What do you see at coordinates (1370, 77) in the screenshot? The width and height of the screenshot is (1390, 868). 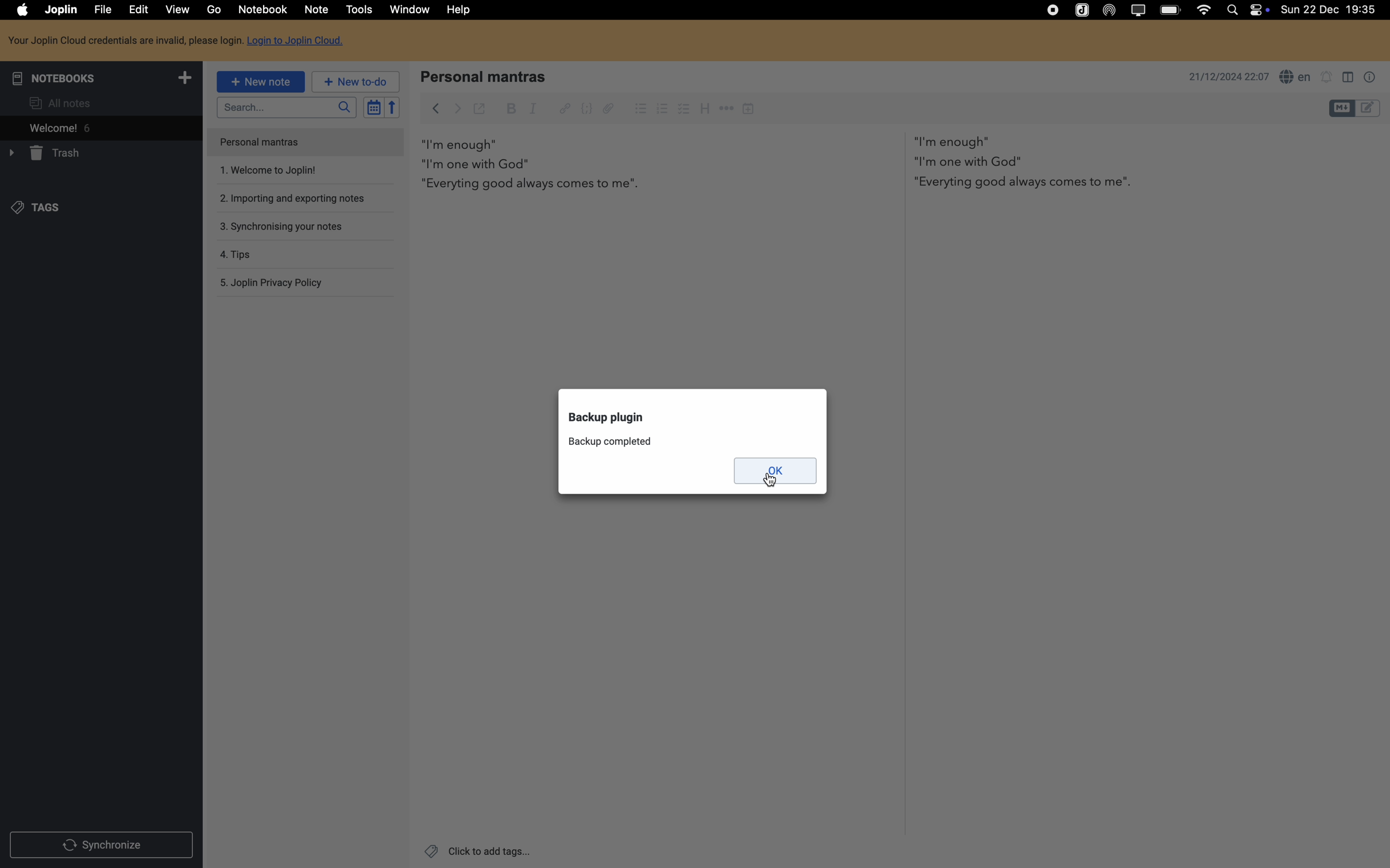 I see `note properties` at bounding box center [1370, 77].